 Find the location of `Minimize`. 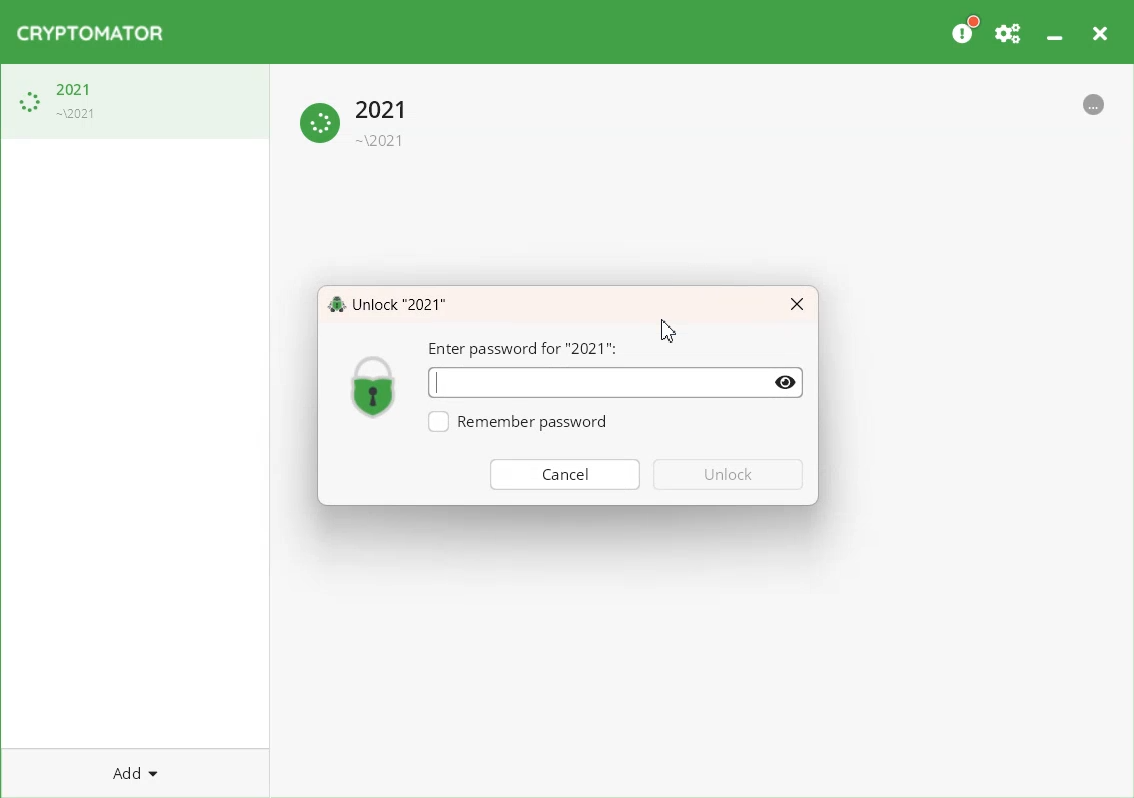

Minimize is located at coordinates (1054, 29).